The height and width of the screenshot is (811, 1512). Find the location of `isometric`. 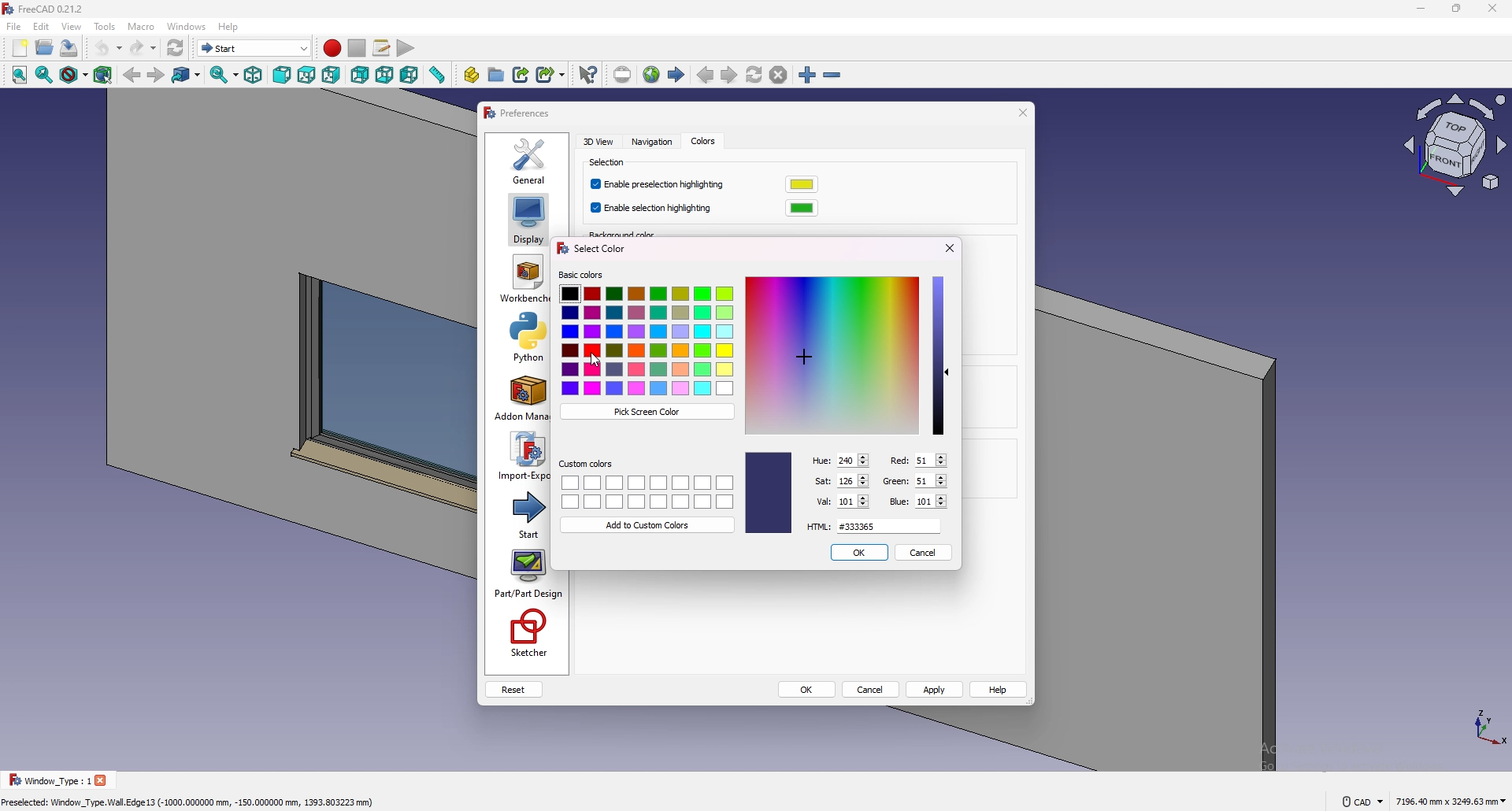

isometric is located at coordinates (254, 76).